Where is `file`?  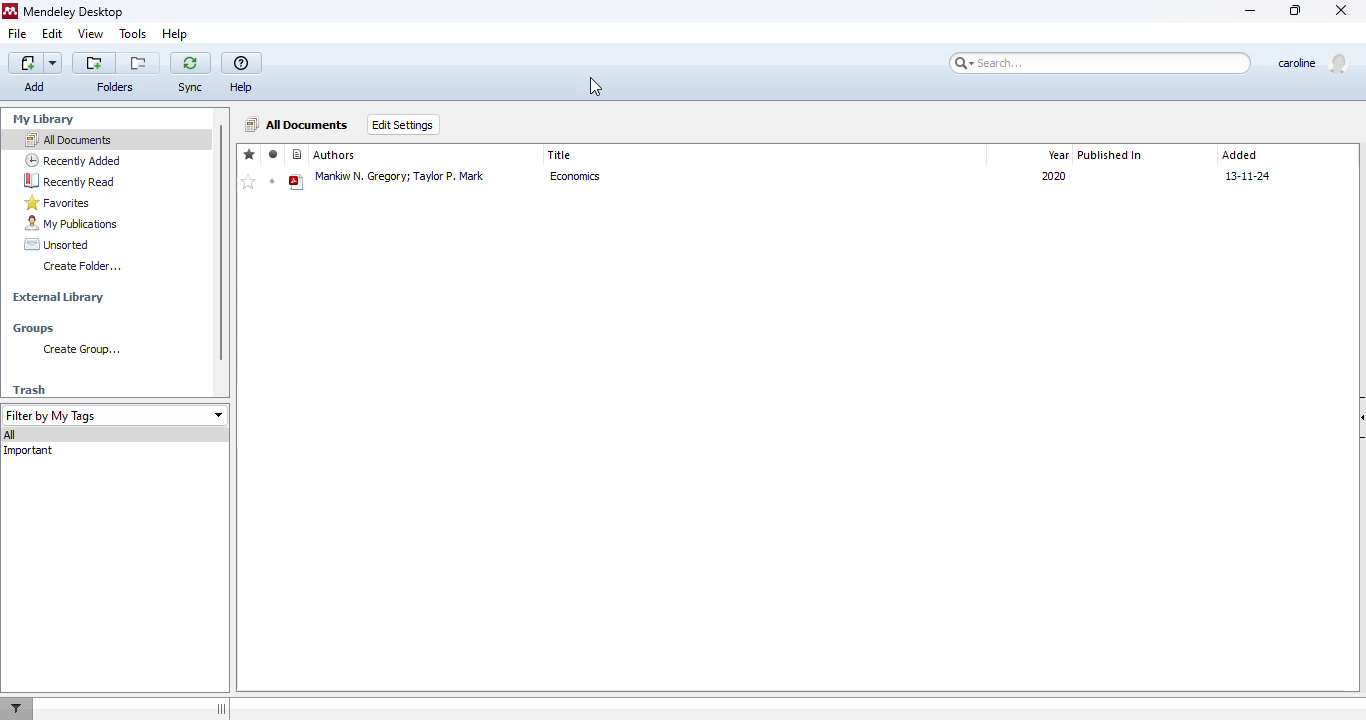 file is located at coordinates (18, 33).